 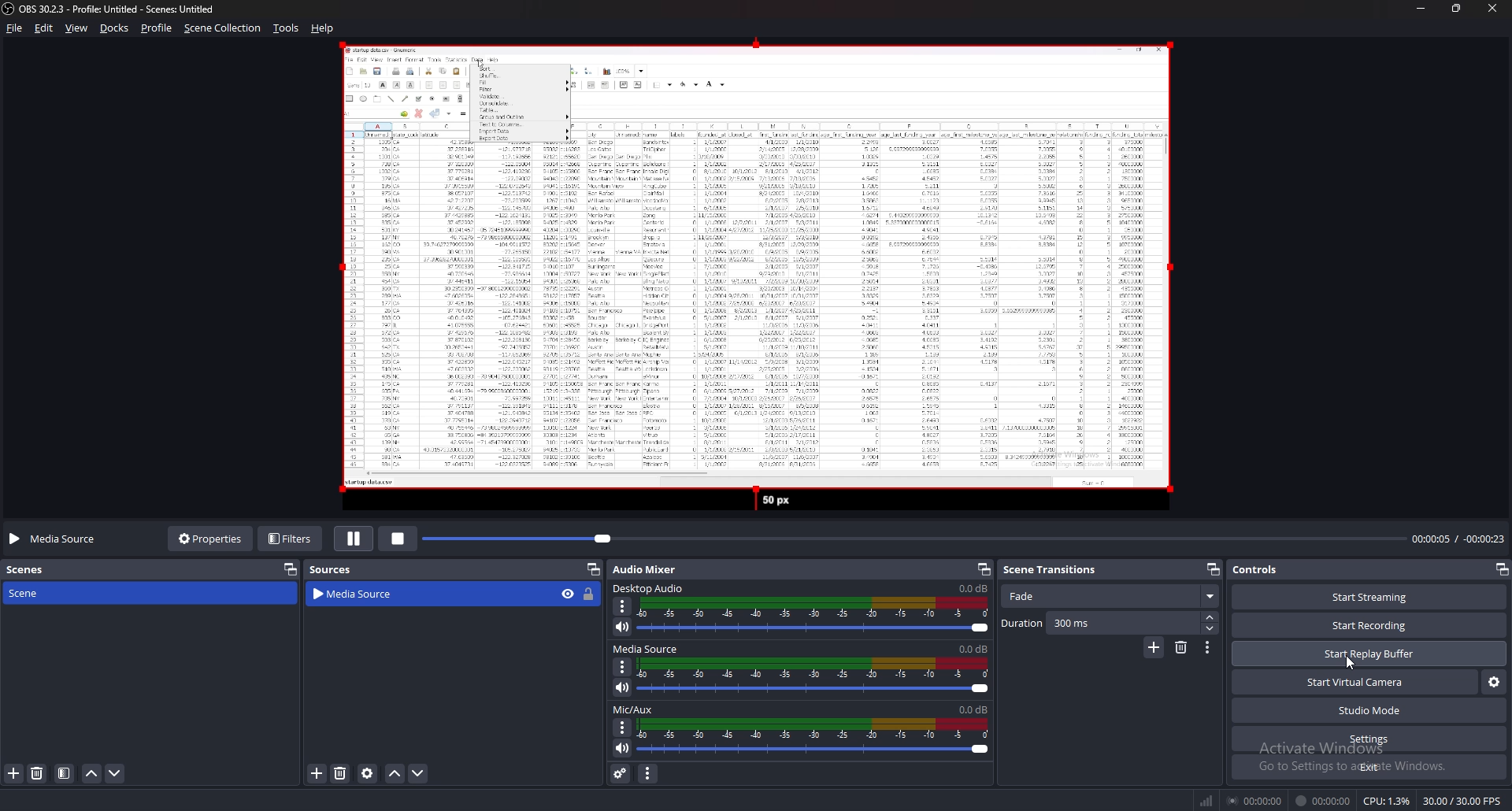 What do you see at coordinates (395, 773) in the screenshot?
I see `move source up` at bounding box center [395, 773].